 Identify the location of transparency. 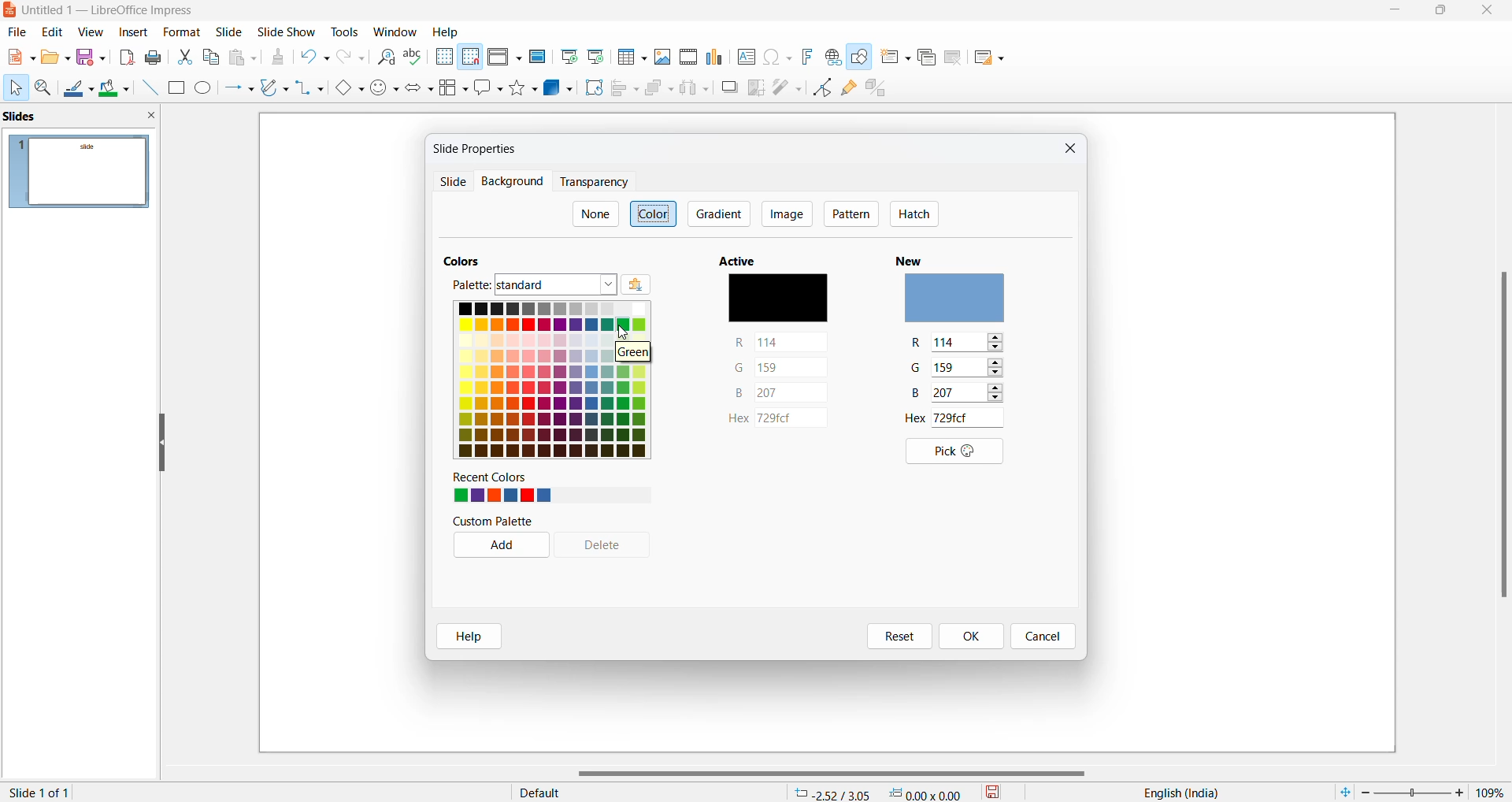
(593, 182).